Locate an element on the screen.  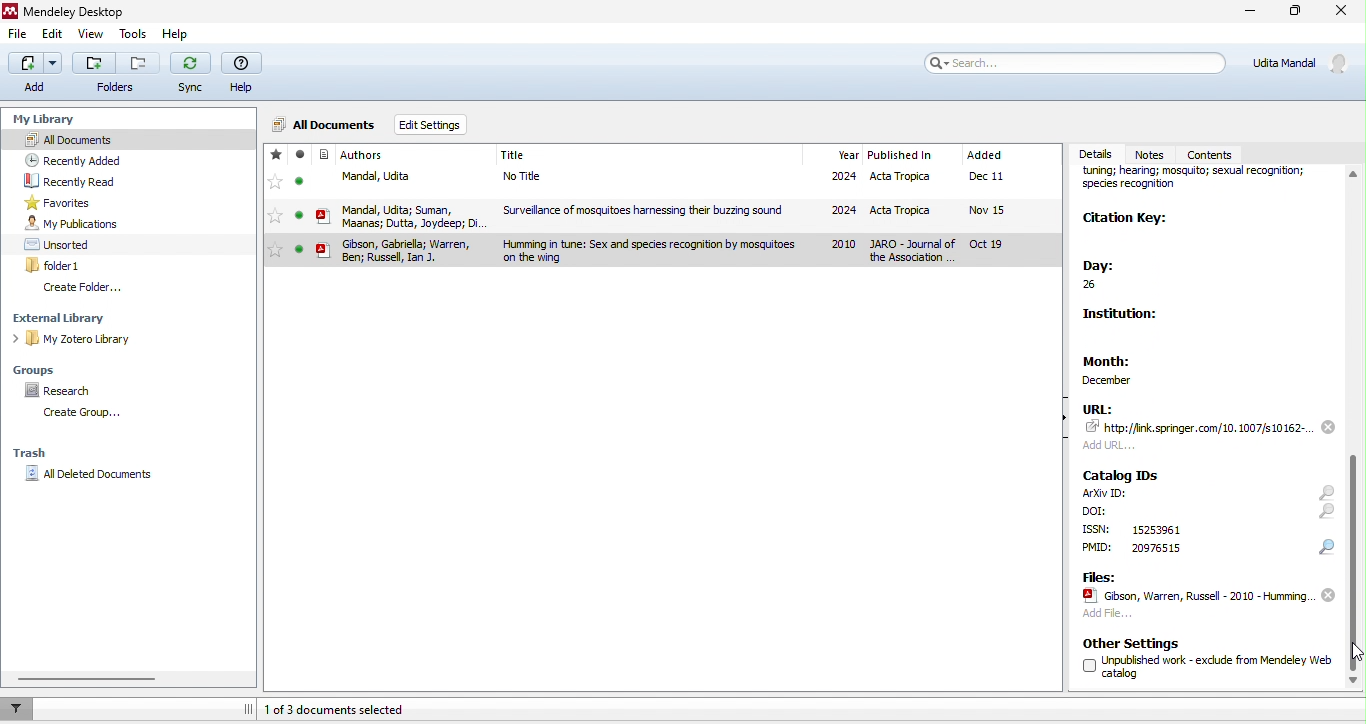
create folder is located at coordinates (84, 288).